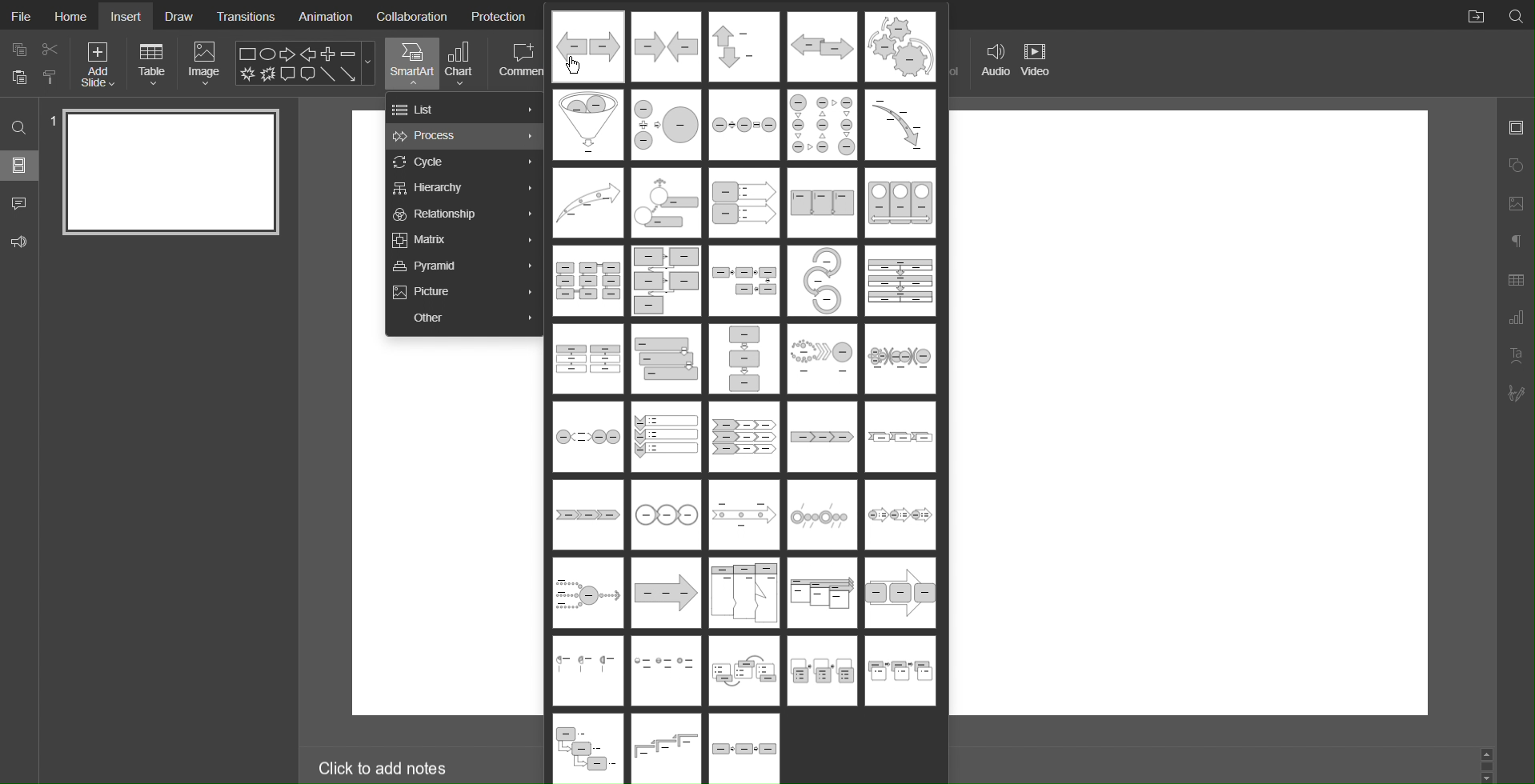  Describe the element at coordinates (53, 120) in the screenshot. I see `slide number` at that location.